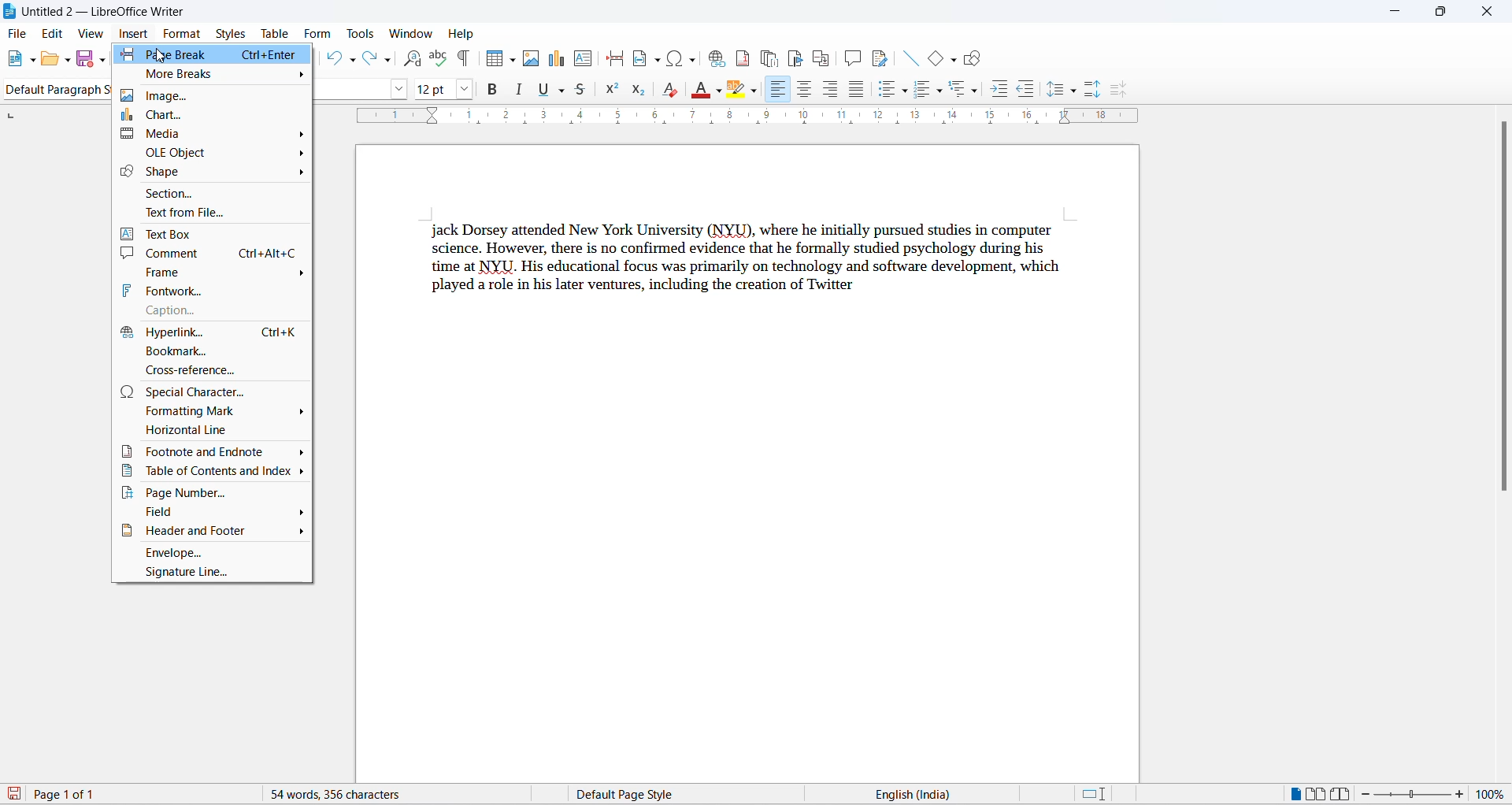  I want to click on English(India), so click(958, 793).